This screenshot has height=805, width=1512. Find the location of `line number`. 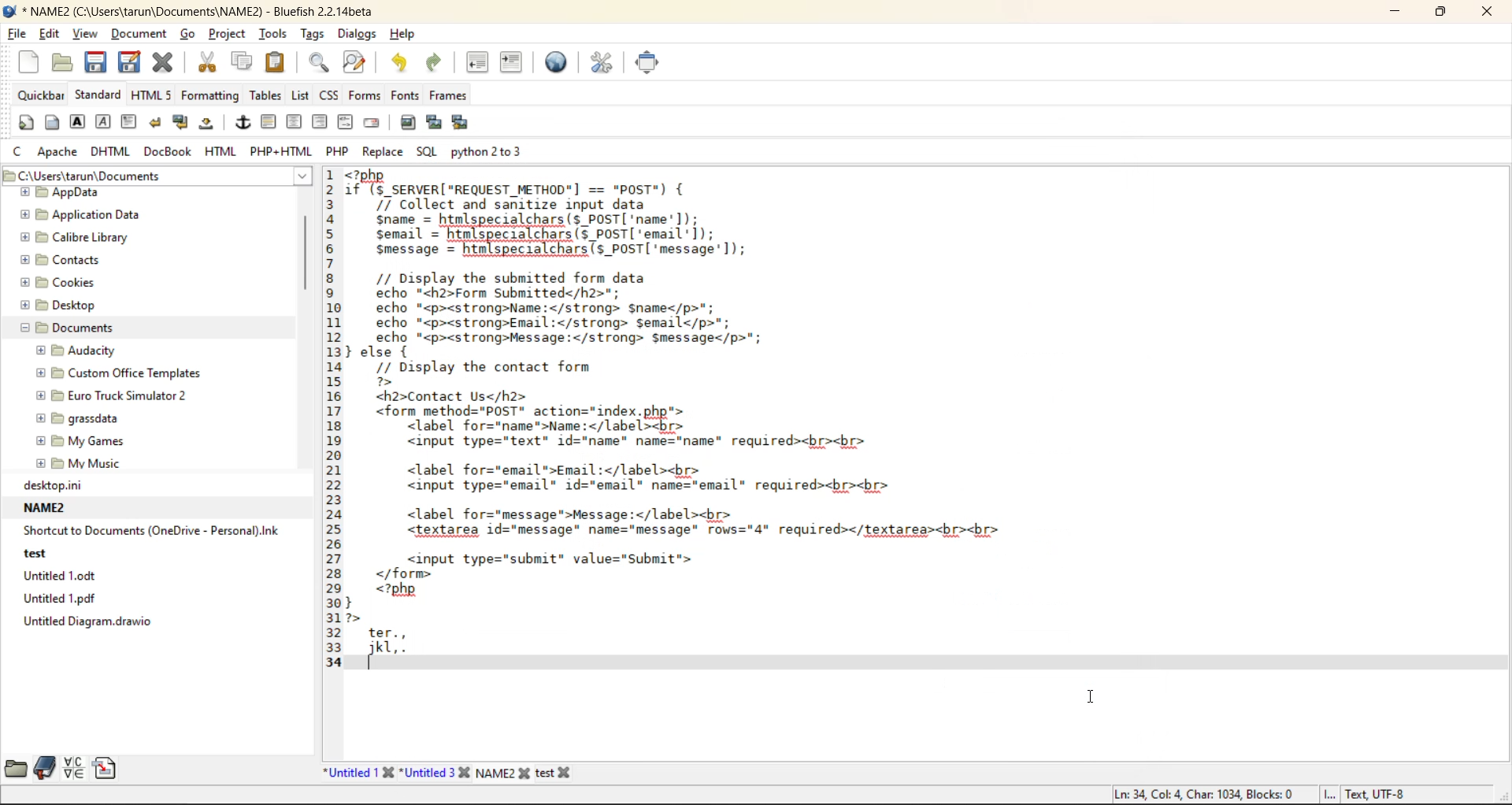

line number is located at coordinates (332, 418).